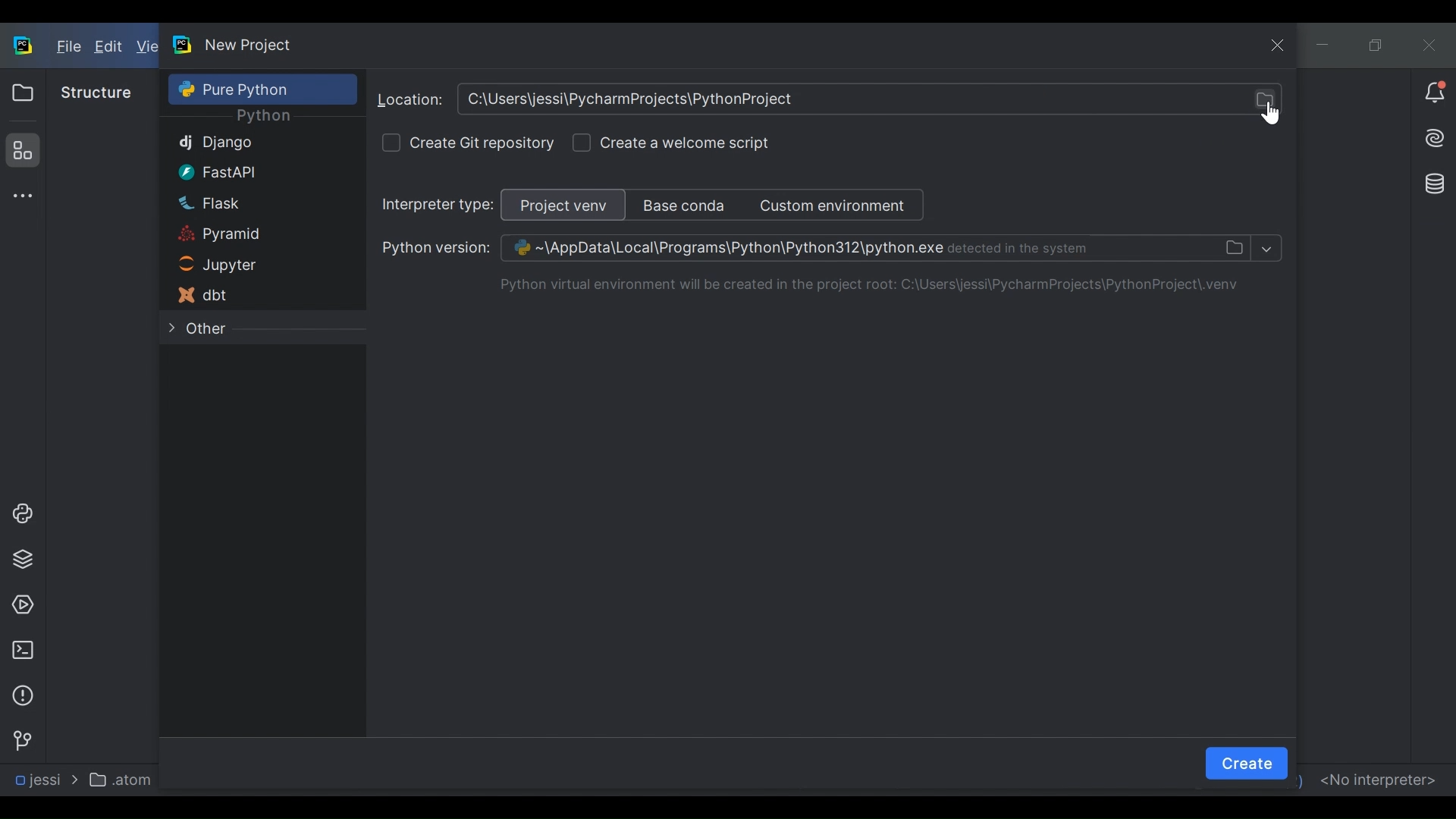 This screenshot has height=819, width=1456. What do you see at coordinates (21, 739) in the screenshot?
I see `Version Control` at bounding box center [21, 739].